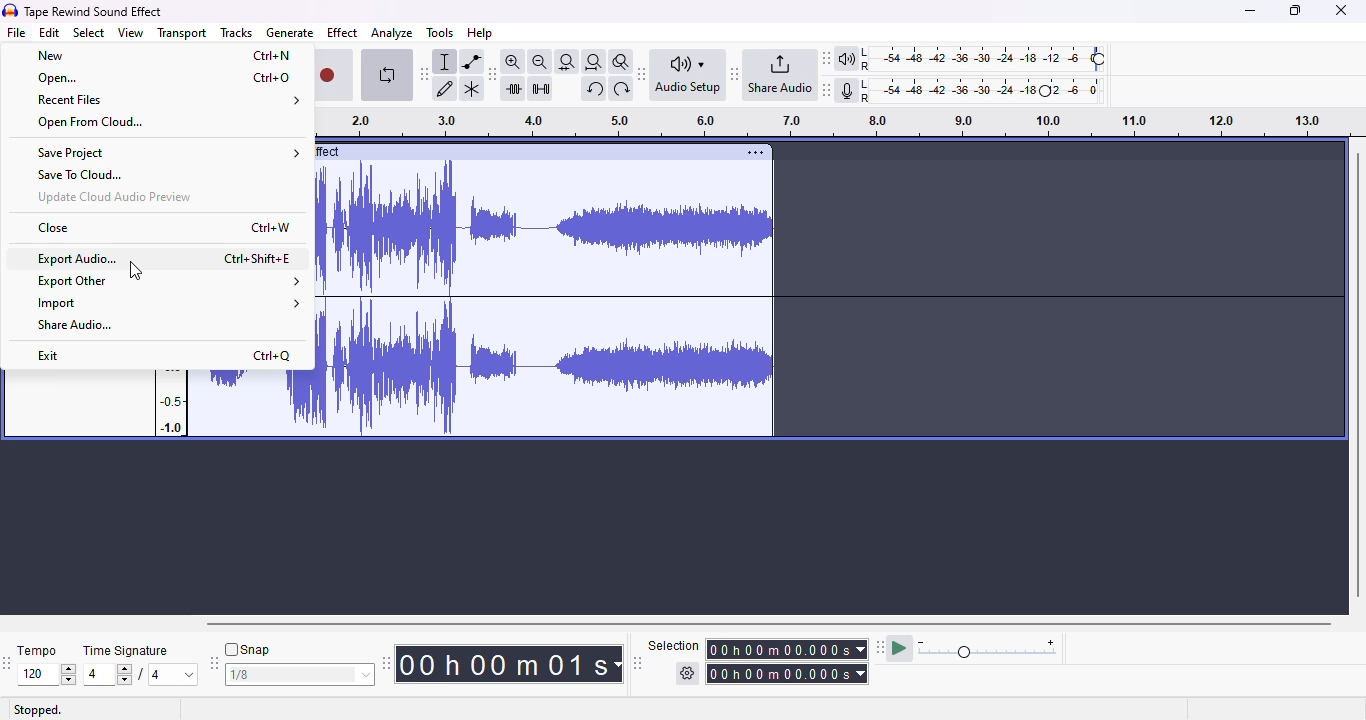 The image size is (1366, 720). What do you see at coordinates (774, 76) in the screenshot?
I see `audacity share audio toolbar` at bounding box center [774, 76].